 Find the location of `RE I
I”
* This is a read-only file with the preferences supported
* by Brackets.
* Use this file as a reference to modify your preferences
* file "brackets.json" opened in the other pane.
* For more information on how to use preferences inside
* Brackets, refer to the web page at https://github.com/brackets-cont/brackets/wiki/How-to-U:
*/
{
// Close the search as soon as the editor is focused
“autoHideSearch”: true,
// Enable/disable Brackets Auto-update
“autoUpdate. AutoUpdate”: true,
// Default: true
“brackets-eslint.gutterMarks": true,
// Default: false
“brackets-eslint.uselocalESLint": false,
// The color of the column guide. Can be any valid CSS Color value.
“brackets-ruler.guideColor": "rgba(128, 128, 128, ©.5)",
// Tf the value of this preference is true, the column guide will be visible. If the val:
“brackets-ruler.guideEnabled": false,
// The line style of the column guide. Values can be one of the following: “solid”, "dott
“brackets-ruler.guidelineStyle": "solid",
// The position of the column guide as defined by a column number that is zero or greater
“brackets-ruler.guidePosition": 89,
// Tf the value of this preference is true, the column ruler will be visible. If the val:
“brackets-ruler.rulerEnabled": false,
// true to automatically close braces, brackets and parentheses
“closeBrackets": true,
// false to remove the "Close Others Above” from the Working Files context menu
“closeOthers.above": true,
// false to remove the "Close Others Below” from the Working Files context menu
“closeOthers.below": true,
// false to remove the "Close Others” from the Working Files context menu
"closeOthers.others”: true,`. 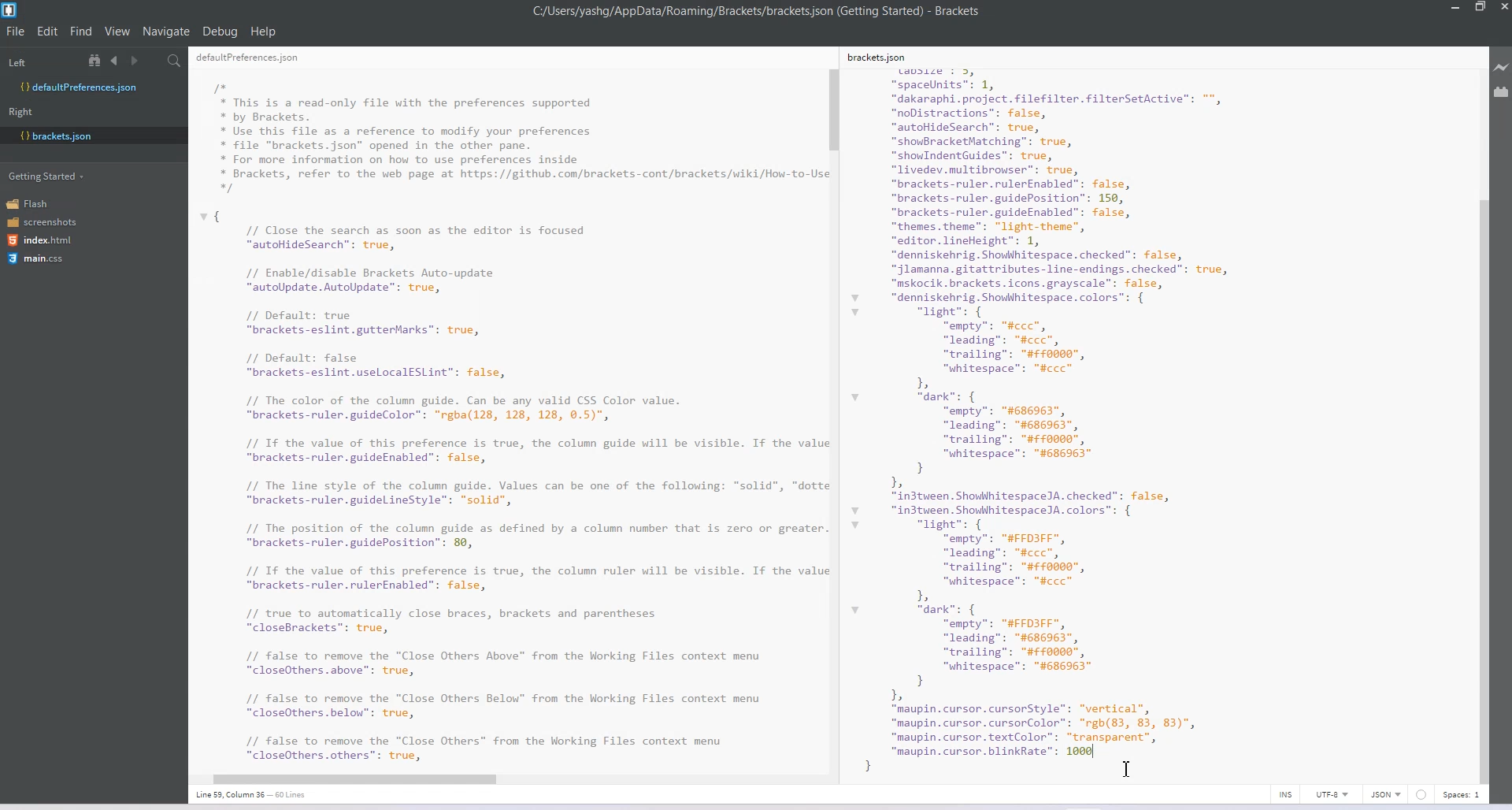

RE I
I”
* This is a read-only file with the preferences supported
* by Brackets.
* Use this file as a reference to modify your preferences
* file "brackets.json" opened in the other pane.
* For more information on how to use preferences inside
* Brackets, refer to the web page at https://github.com/brackets-cont/brackets/wiki/How-to-U:
*/
{
// Close the search as soon as the editor is focused
“autoHideSearch”: true,
// Enable/disable Brackets Auto-update
“autoUpdate. AutoUpdate”: true,
// Default: true
“brackets-eslint.gutterMarks": true,
// Default: false
“brackets-eslint.uselocalESLint": false,
// The color of the column guide. Can be any valid CSS Color value.
“brackets-ruler.guideColor": "rgba(128, 128, 128, ©.5)",
// Tf the value of this preference is true, the column guide will be visible. If the val:
“brackets-ruler.guideEnabled": false,
// The line style of the column guide. Values can be one of the following: “solid”, "dott
“brackets-ruler.guidelineStyle": "solid",
// The position of the column guide as defined by a column number that is zero or greater
“brackets-ruler.guidePosition": 89,
// Tf the value of this preference is true, the column ruler will be visible. If the val:
“brackets-ruler.rulerEnabled": false,
// true to automatically close braces, brackets and parentheses
“closeBrackets": true,
// false to remove the "Close Others Above” from the Working Files context menu
“closeOthers.above": true,
// false to remove the "Close Others Below” from the Working Files context menu
“closeOthers.below": true,
// false to remove the "Close Others” from the Working Files context menu
"closeOthers.others”: true, is located at coordinates (507, 408).